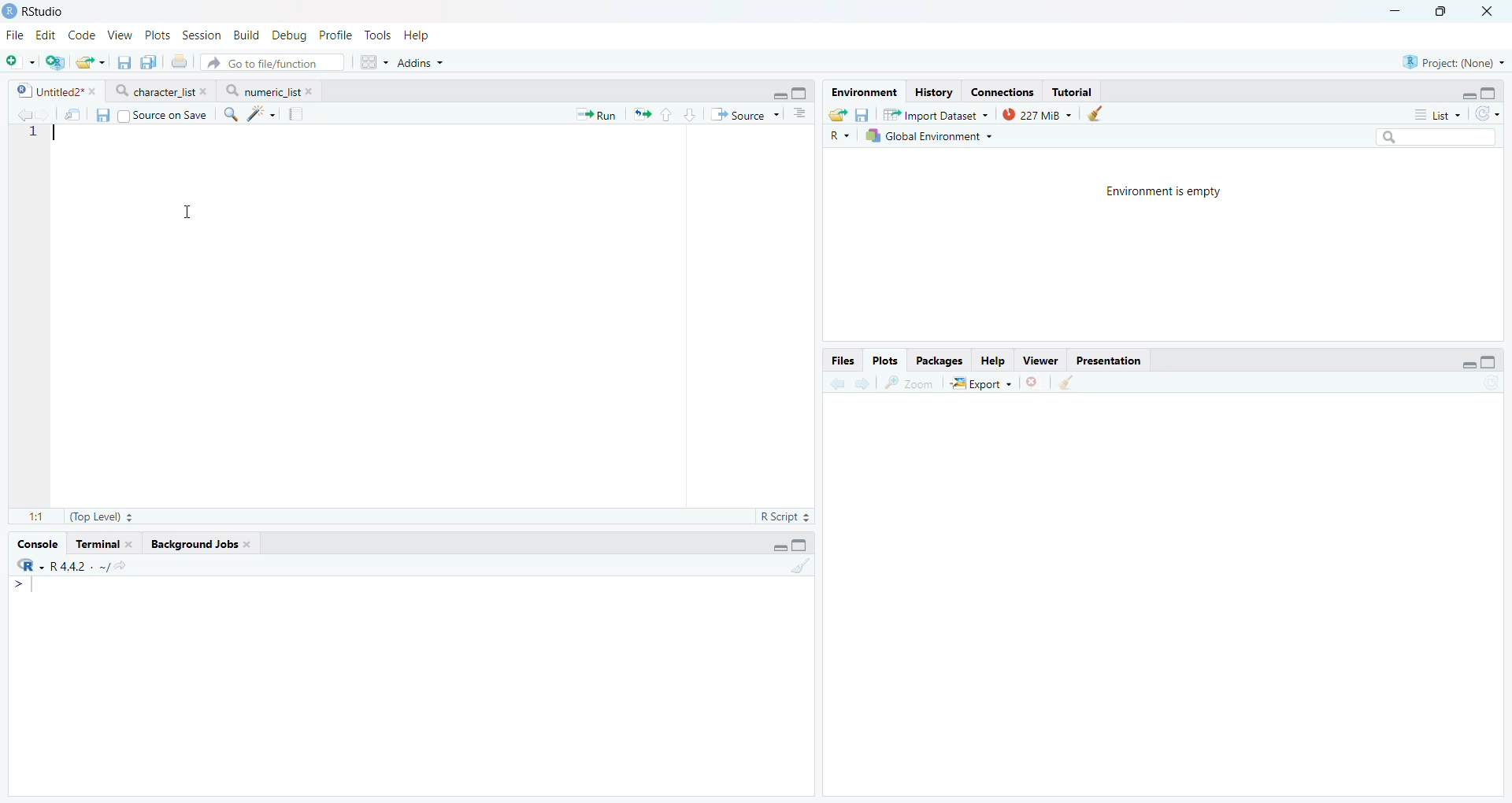 This screenshot has height=803, width=1512. I want to click on numeric_list, so click(269, 91).